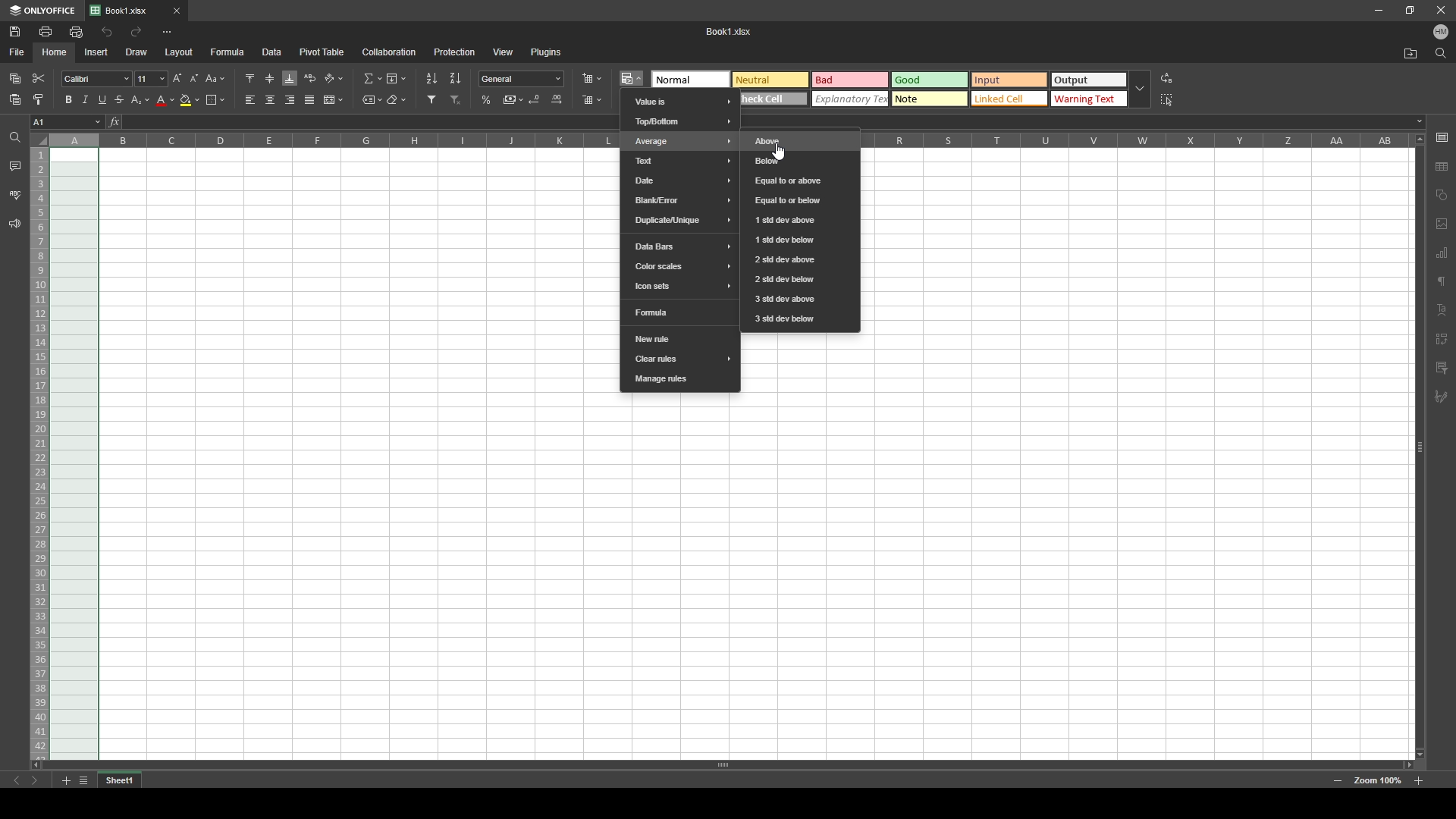 The image size is (1456, 819). Describe the element at coordinates (456, 77) in the screenshot. I see `sort descending` at that location.